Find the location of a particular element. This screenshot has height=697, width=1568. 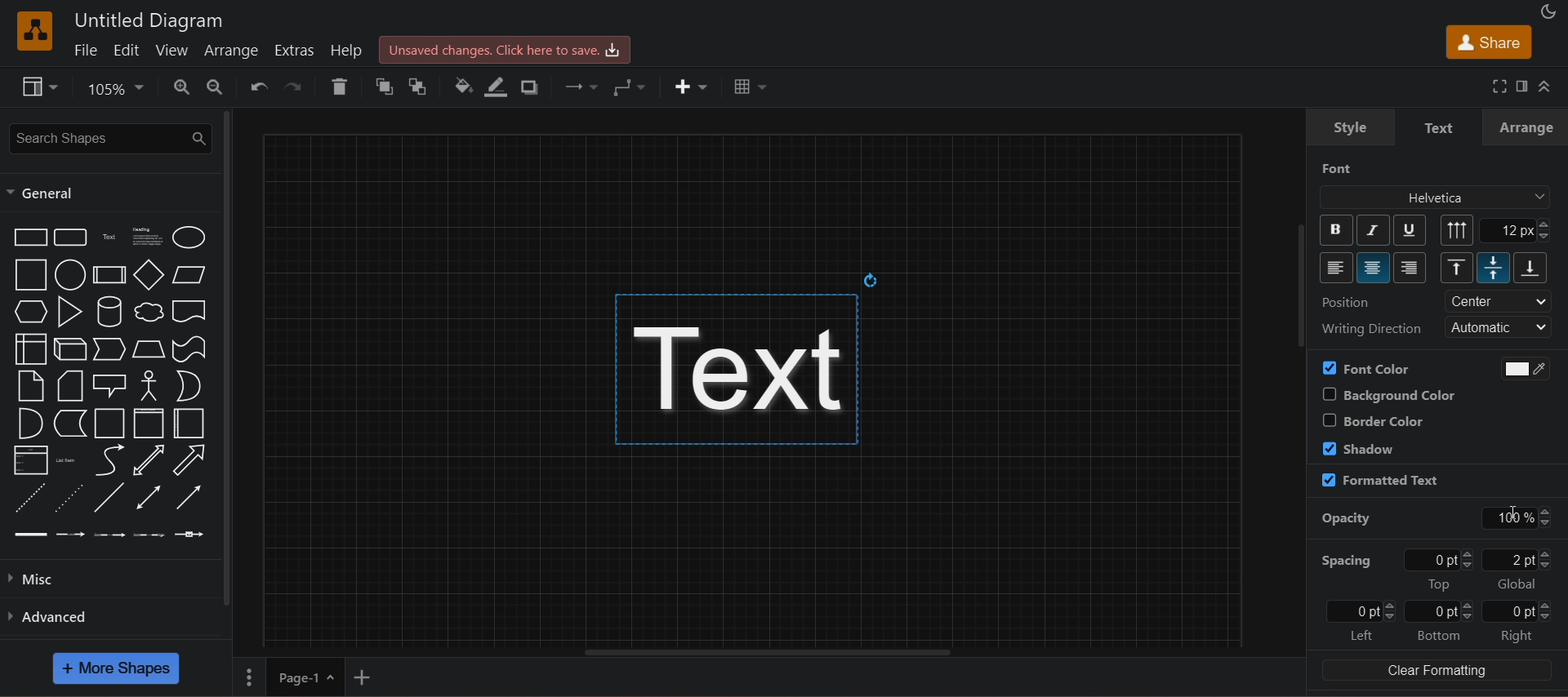

rectangle is located at coordinates (29, 237).